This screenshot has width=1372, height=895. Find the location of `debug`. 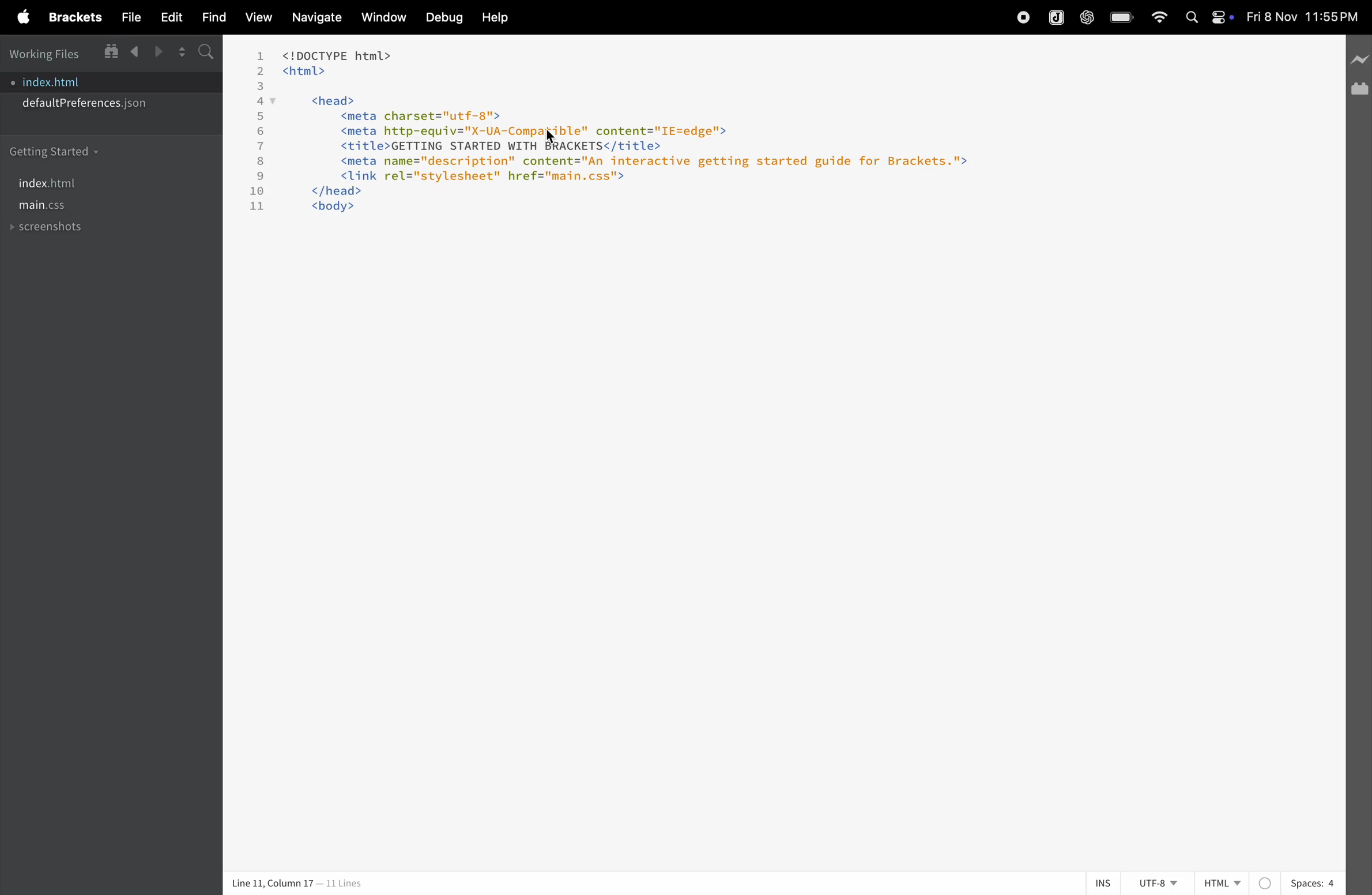

debug is located at coordinates (441, 17).